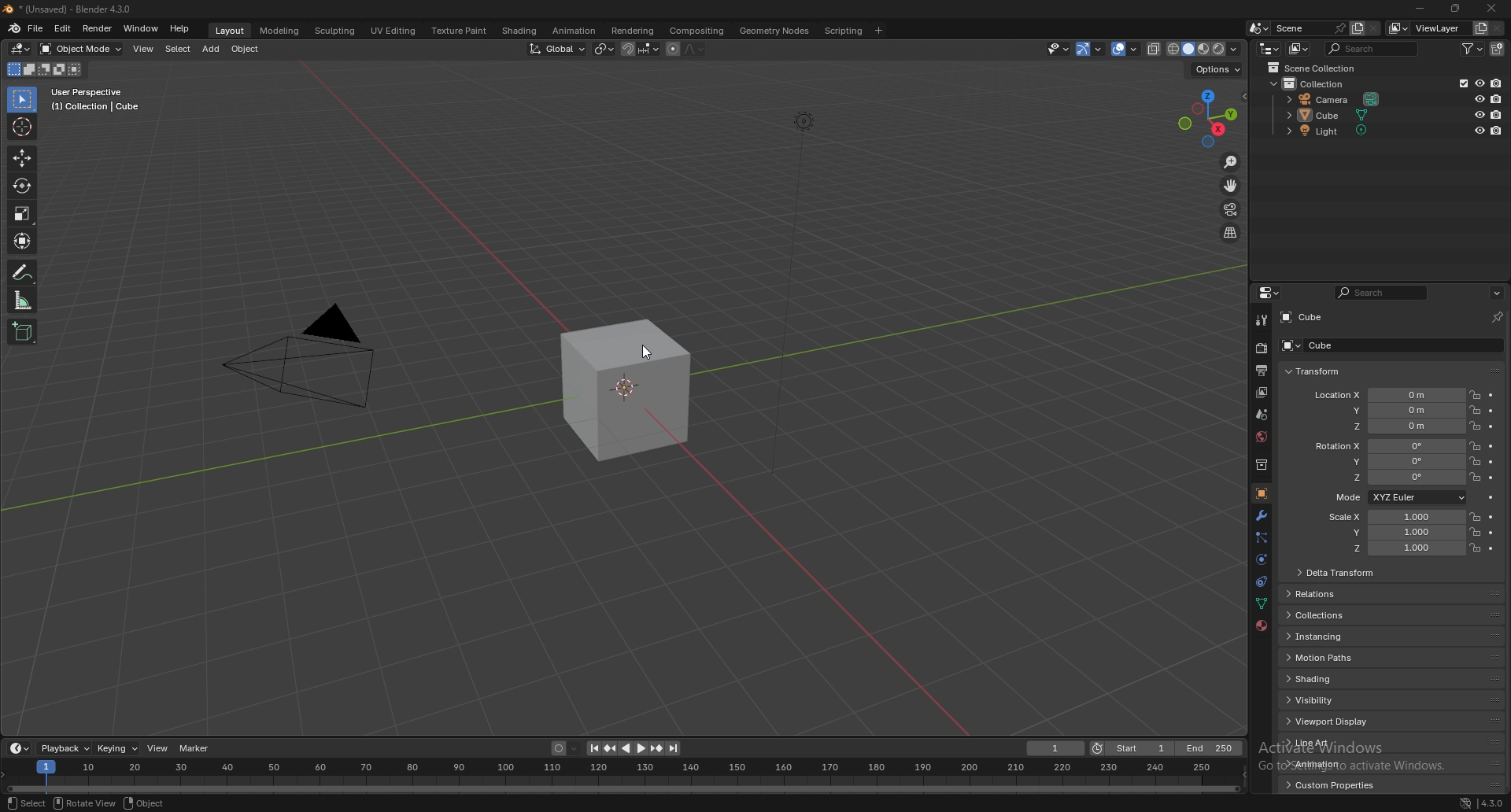  I want to click on jump to endpoint, so click(674, 748).